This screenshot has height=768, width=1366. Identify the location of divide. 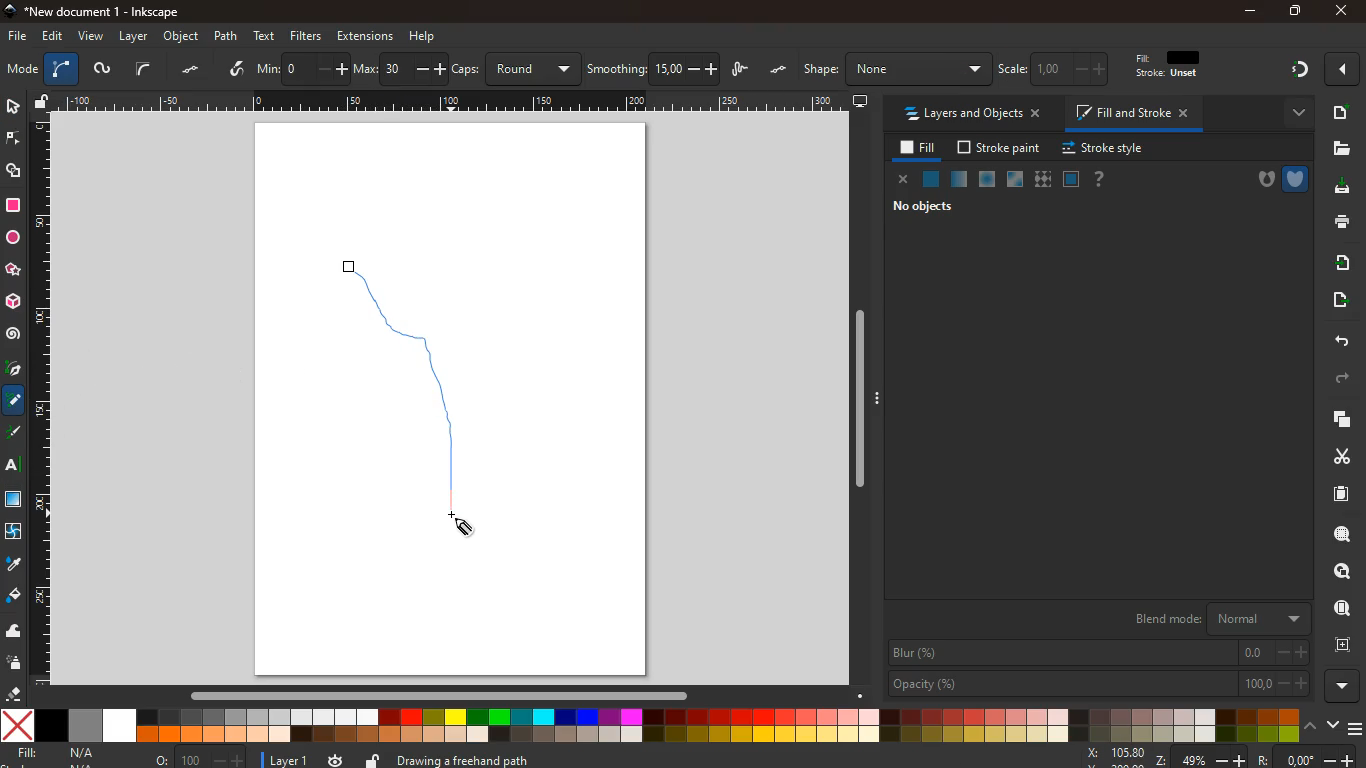
(272, 70).